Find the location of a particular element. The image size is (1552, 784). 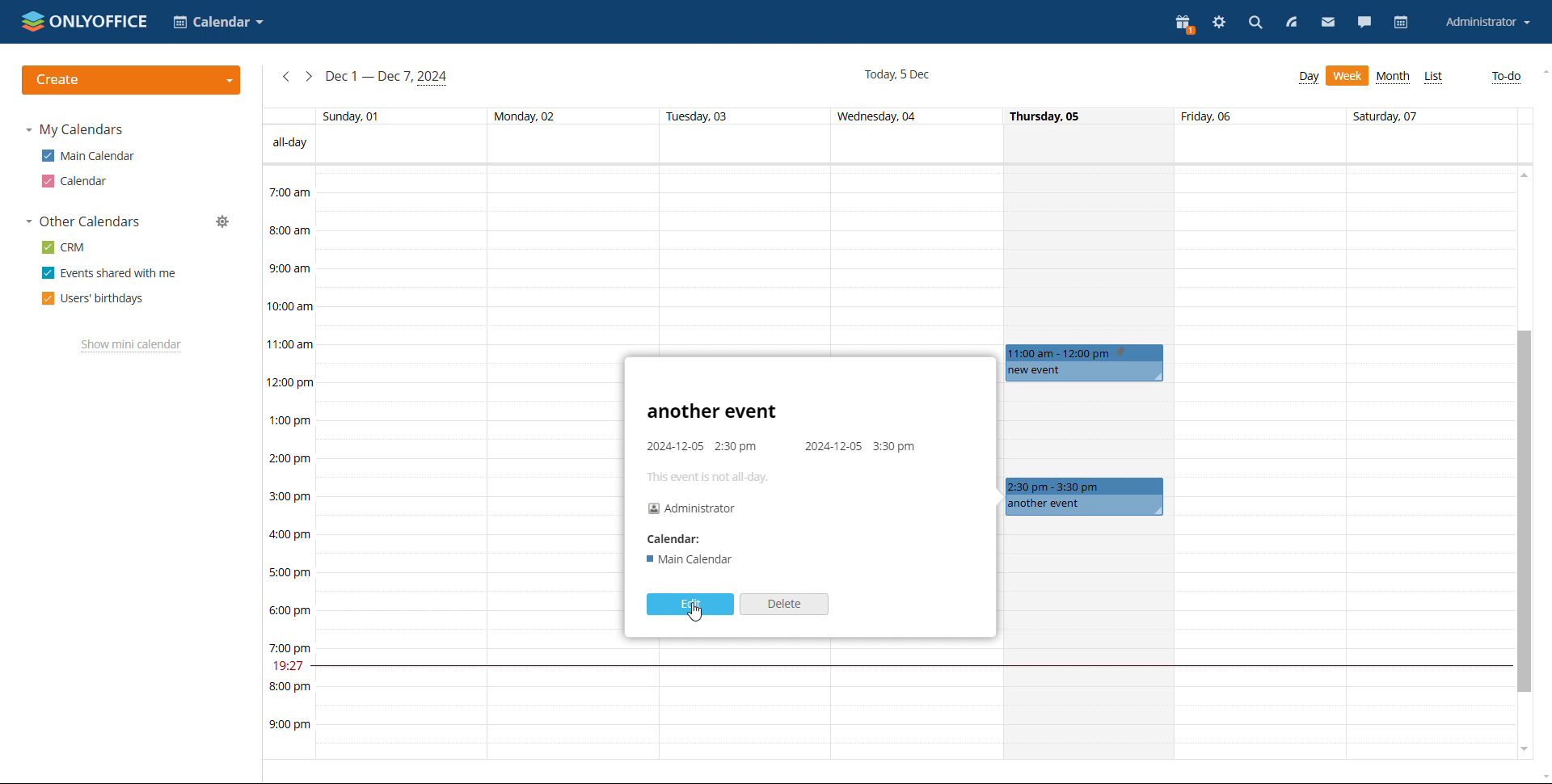

2024-12-05 2:30 pm is located at coordinates (707, 446).